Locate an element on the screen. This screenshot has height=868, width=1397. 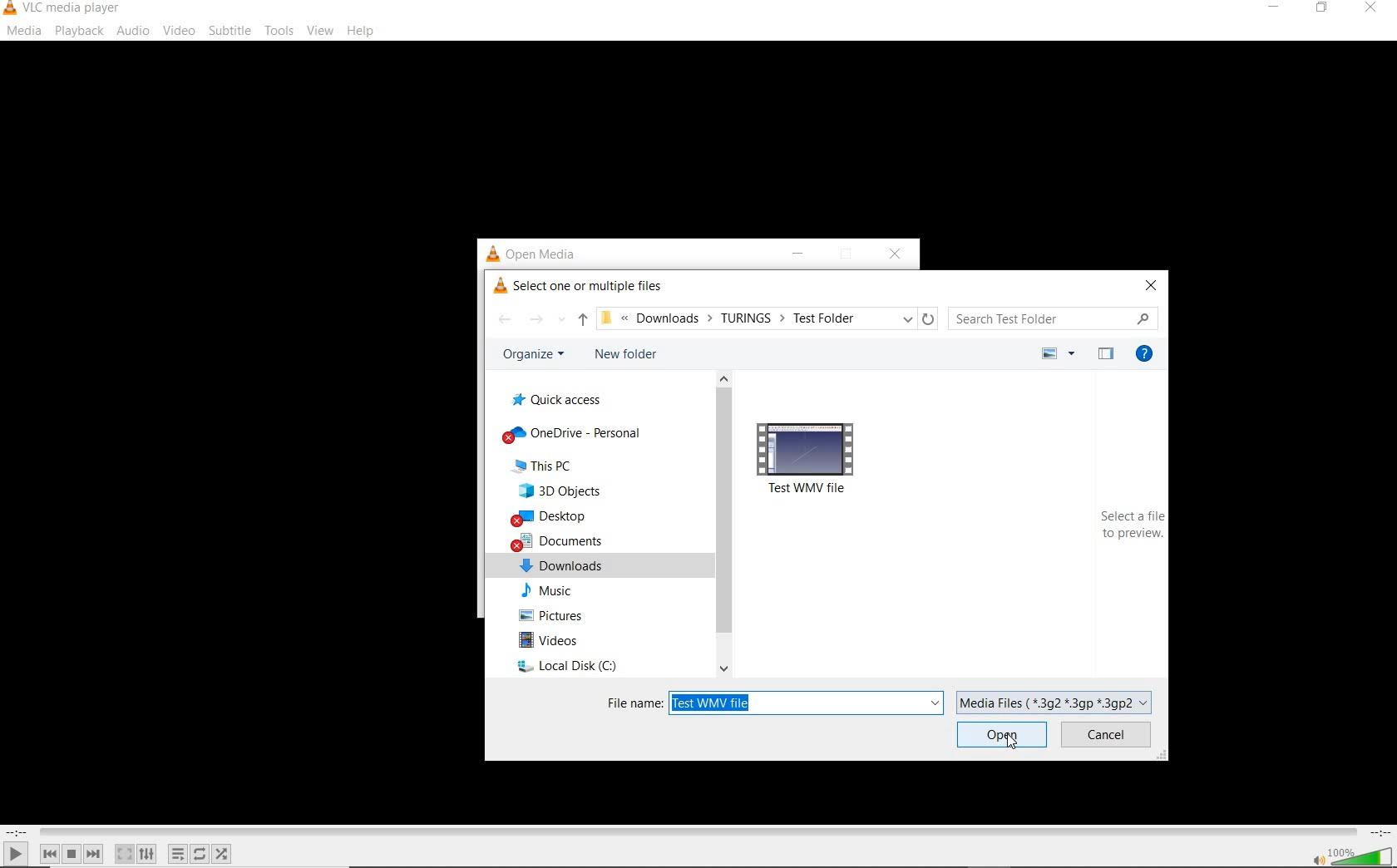
video file is located at coordinates (812, 460).